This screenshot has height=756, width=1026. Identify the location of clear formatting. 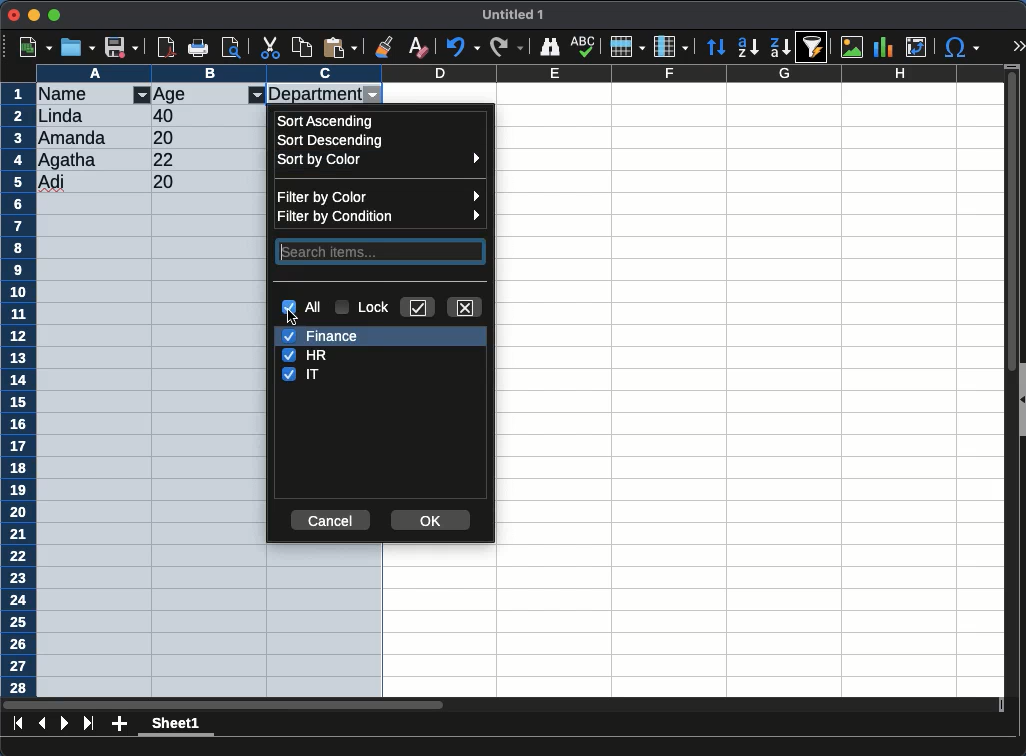
(418, 46).